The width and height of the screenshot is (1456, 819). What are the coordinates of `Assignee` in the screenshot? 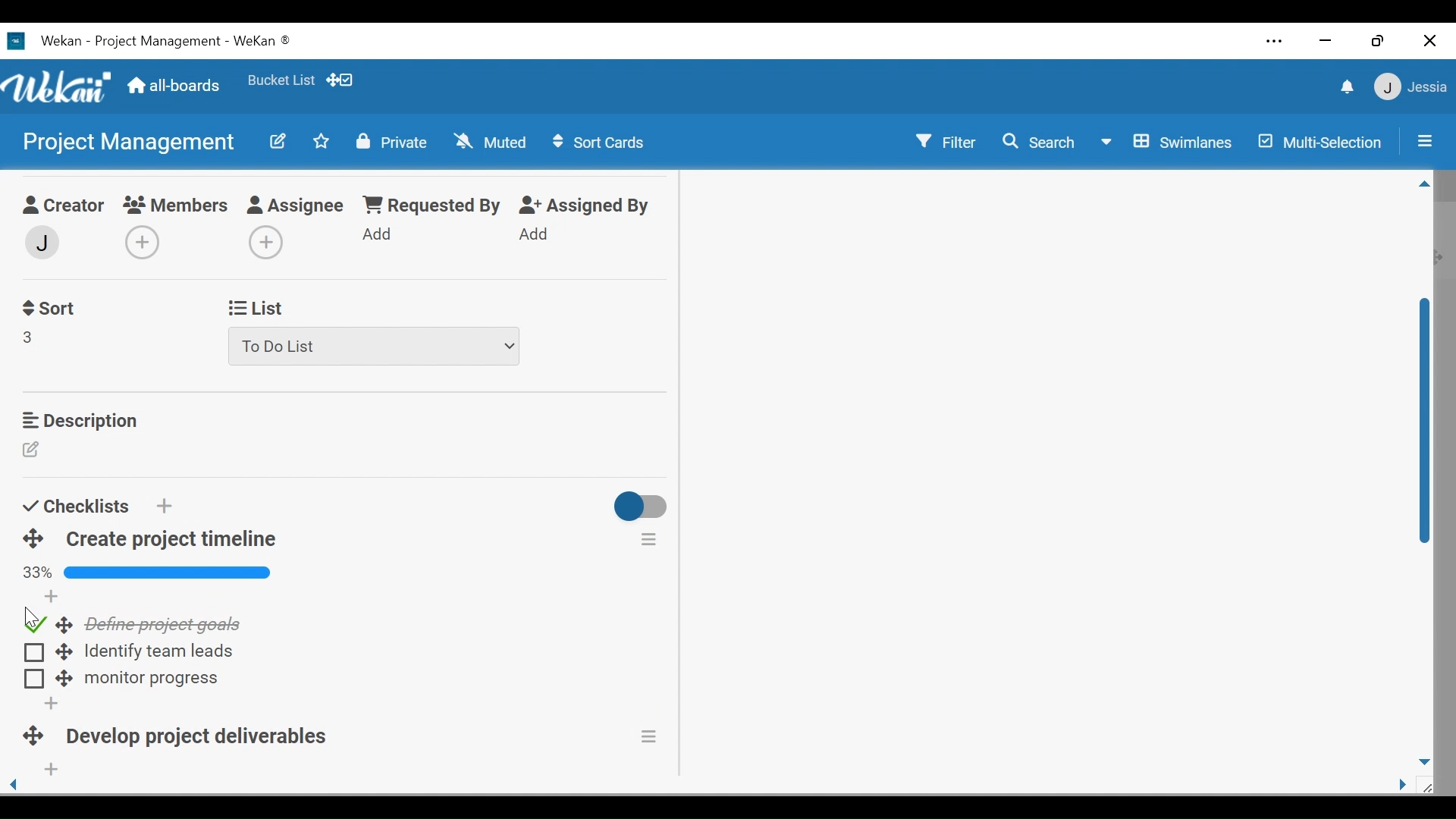 It's located at (298, 206).